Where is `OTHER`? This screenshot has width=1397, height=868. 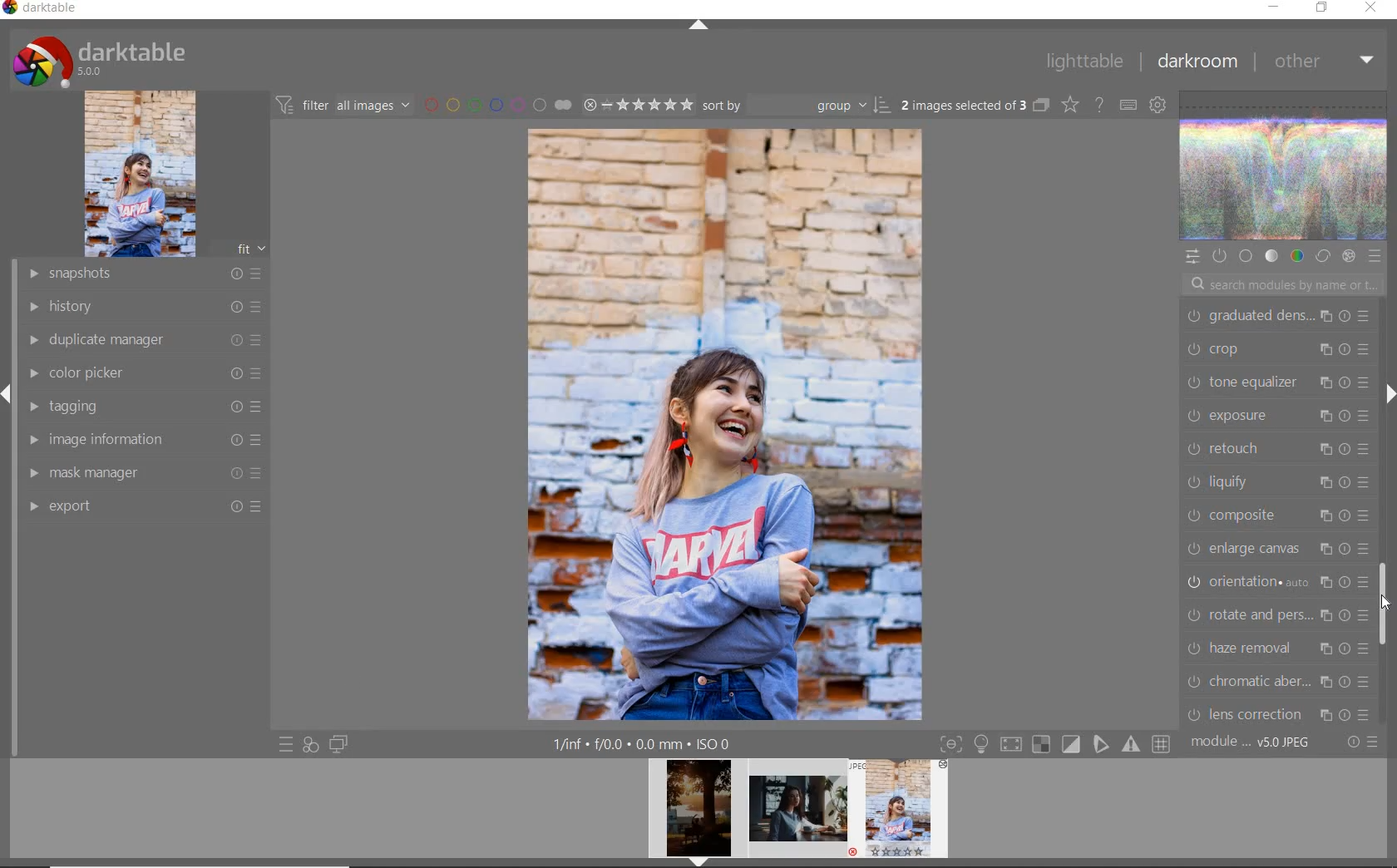 OTHER is located at coordinates (1324, 61).